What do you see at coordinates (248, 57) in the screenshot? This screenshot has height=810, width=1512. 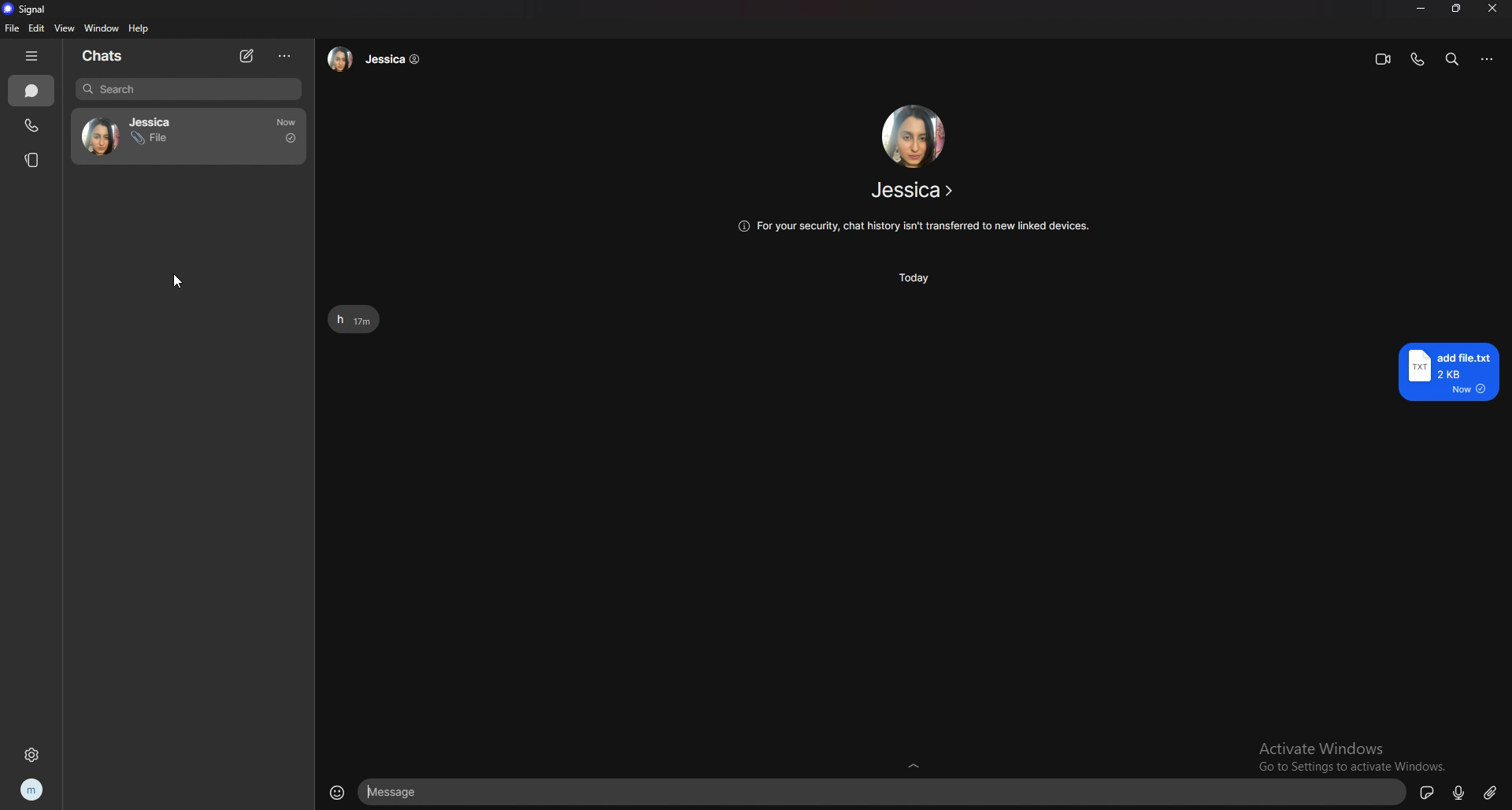 I see `new chat` at bounding box center [248, 57].